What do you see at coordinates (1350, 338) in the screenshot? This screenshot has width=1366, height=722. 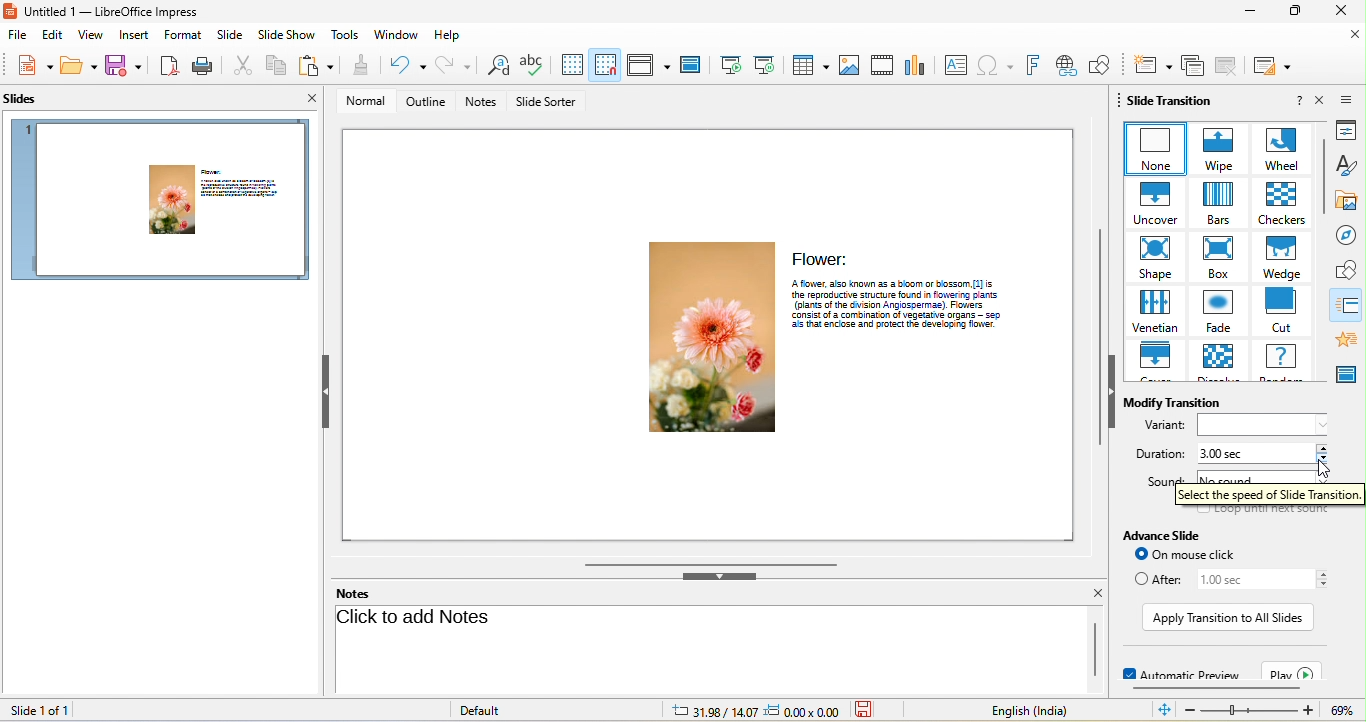 I see `animation` at bounding box center [1350, 338].